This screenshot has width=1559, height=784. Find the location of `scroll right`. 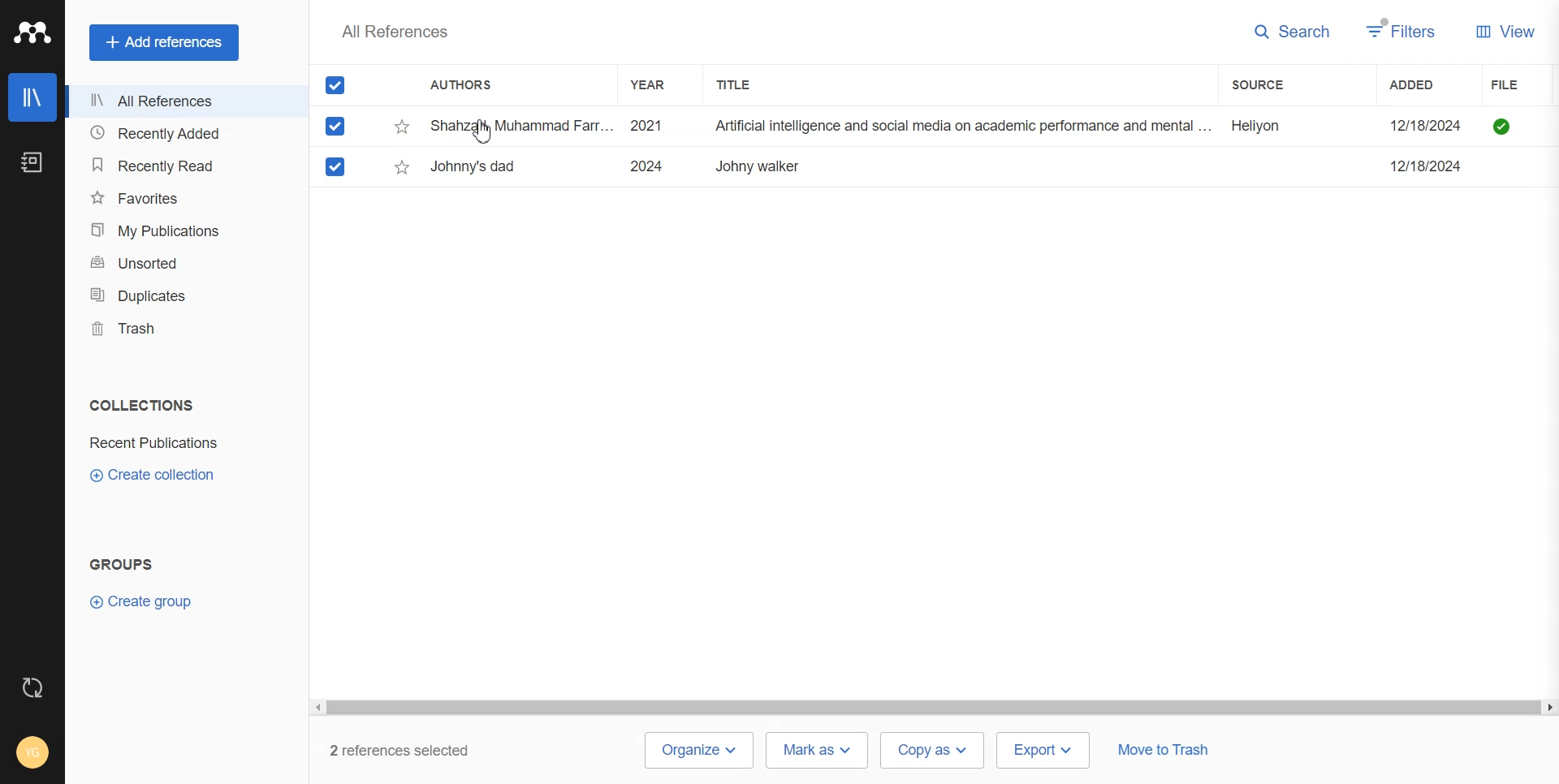

scroll right is located at coordinates (1548, 709).